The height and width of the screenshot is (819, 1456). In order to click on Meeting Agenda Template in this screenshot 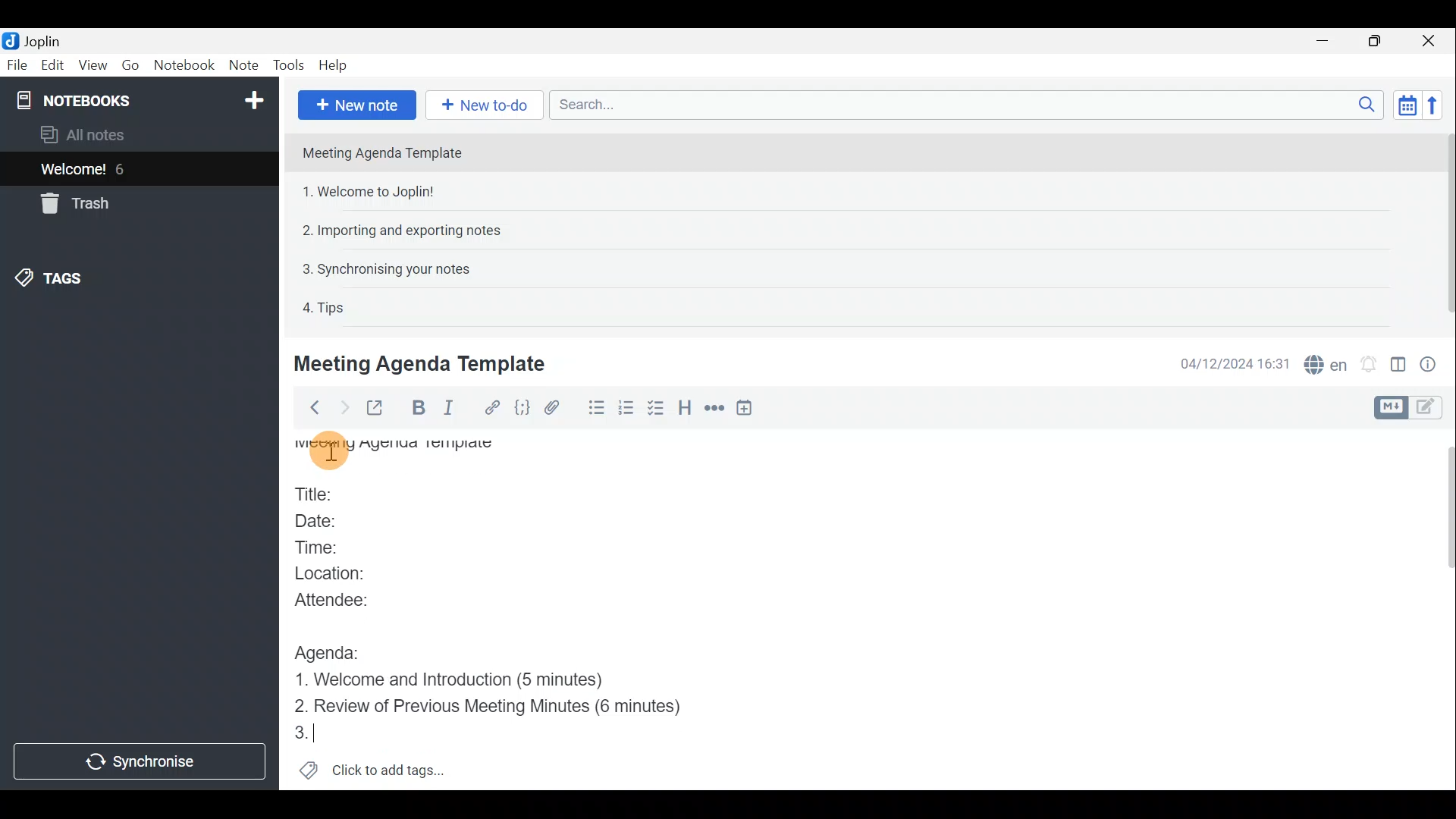, I will do `click(398, 453)`.